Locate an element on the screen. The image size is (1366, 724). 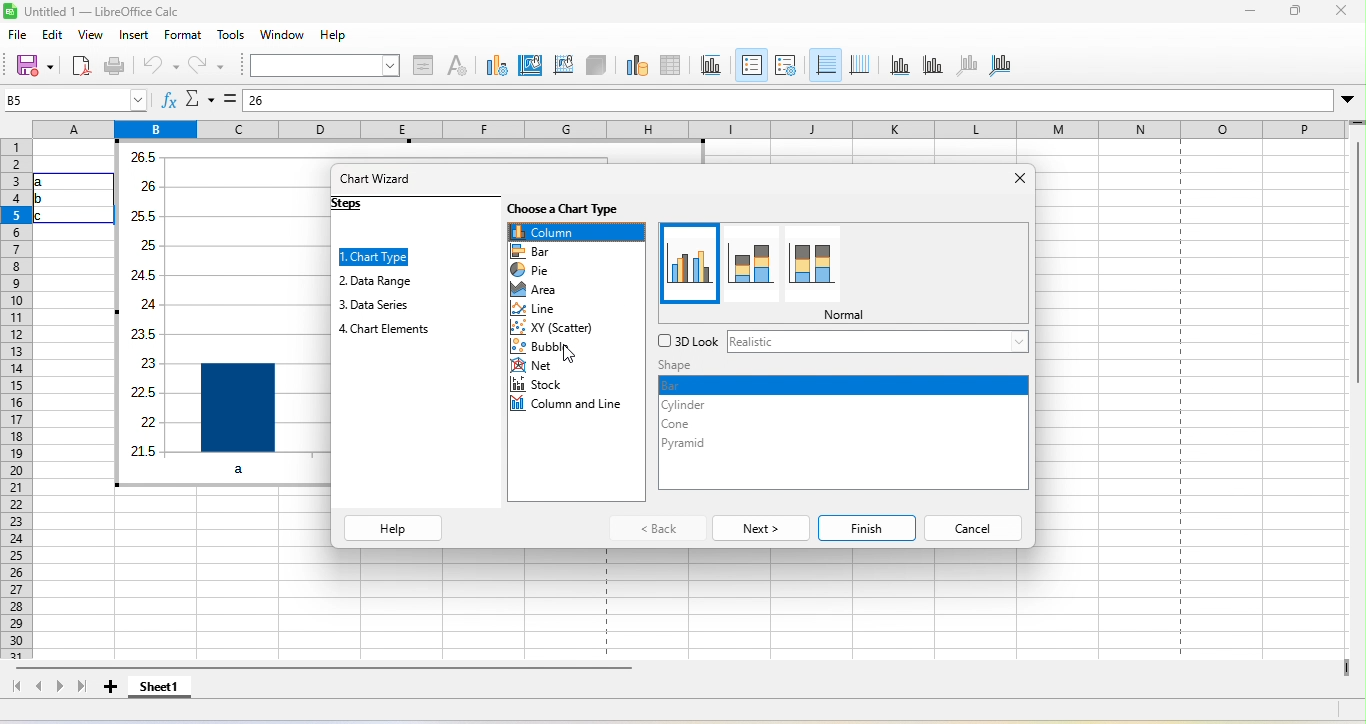
a is located at coordinates (51, 182).